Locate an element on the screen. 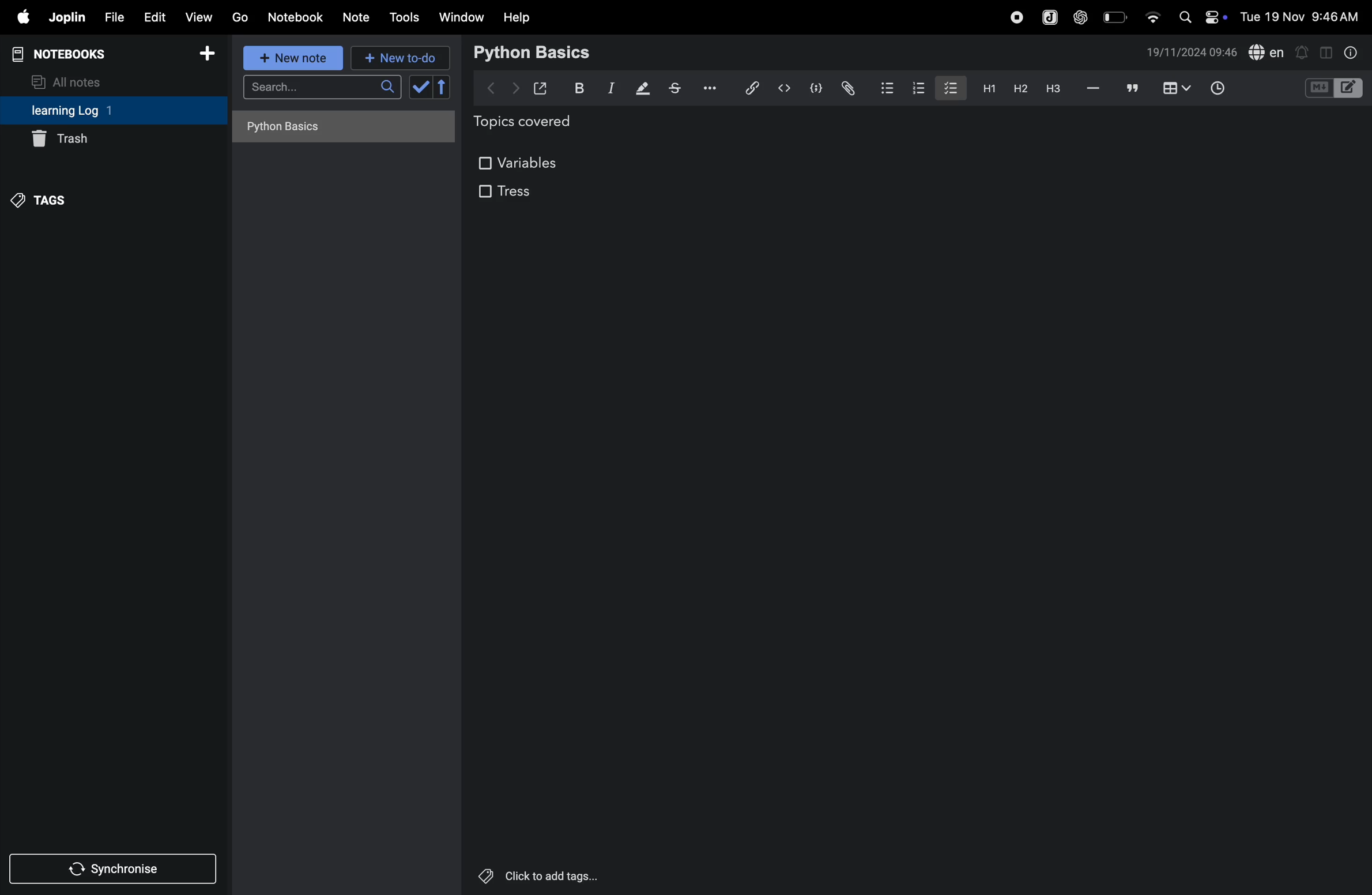  apple menu is located at coordinates (18, 18).